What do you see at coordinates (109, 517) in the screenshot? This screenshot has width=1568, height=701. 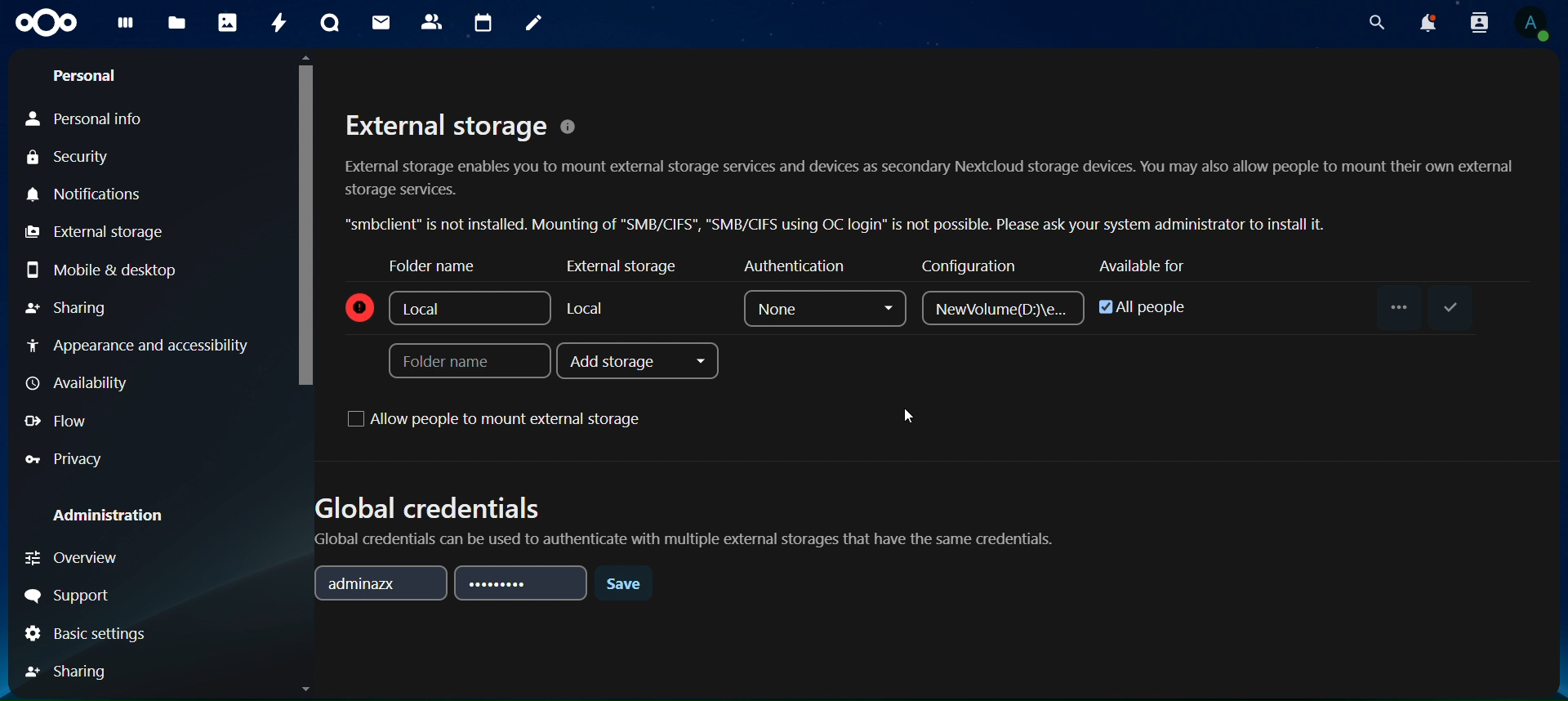 I see `administration` at bounding box center [109, 517].